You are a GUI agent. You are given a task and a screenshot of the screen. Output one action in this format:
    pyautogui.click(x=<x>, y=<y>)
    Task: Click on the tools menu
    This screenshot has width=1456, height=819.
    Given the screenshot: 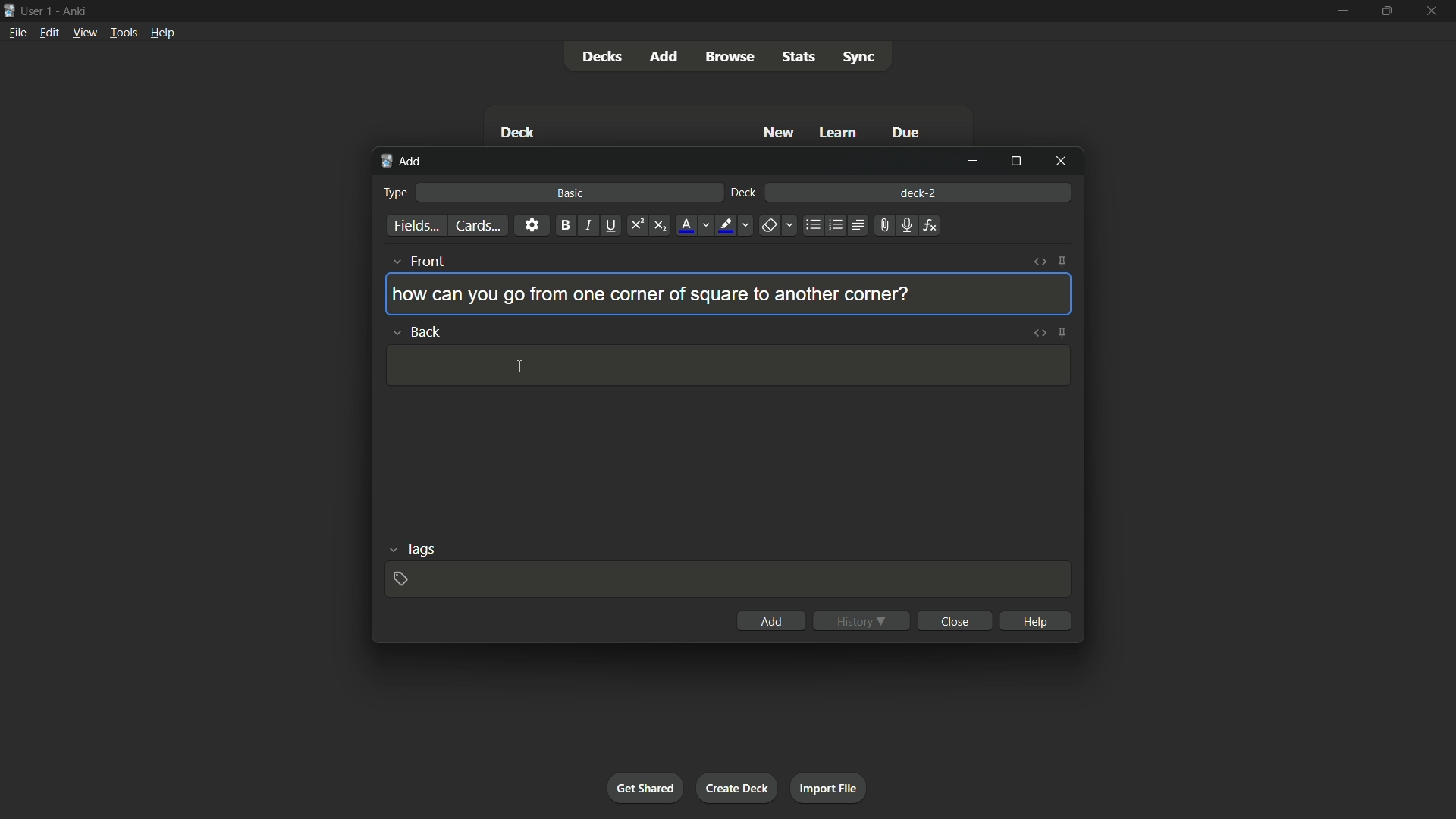 What is the action you would take?
    pyautogui.click(x=124, y=33)
    